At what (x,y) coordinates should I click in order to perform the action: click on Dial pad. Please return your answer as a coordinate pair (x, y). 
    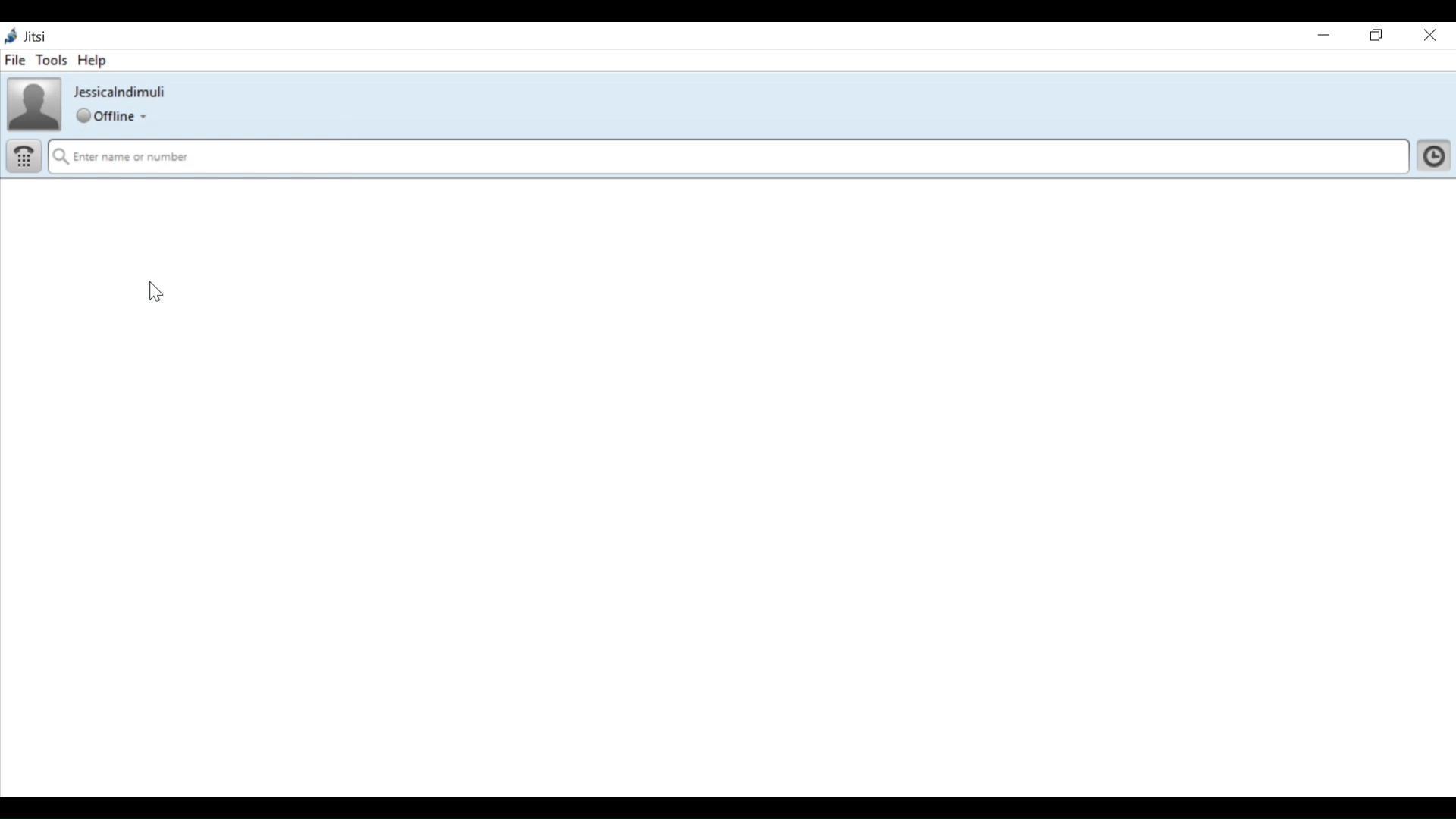
    Looking at the image, I should click on (25, 155).